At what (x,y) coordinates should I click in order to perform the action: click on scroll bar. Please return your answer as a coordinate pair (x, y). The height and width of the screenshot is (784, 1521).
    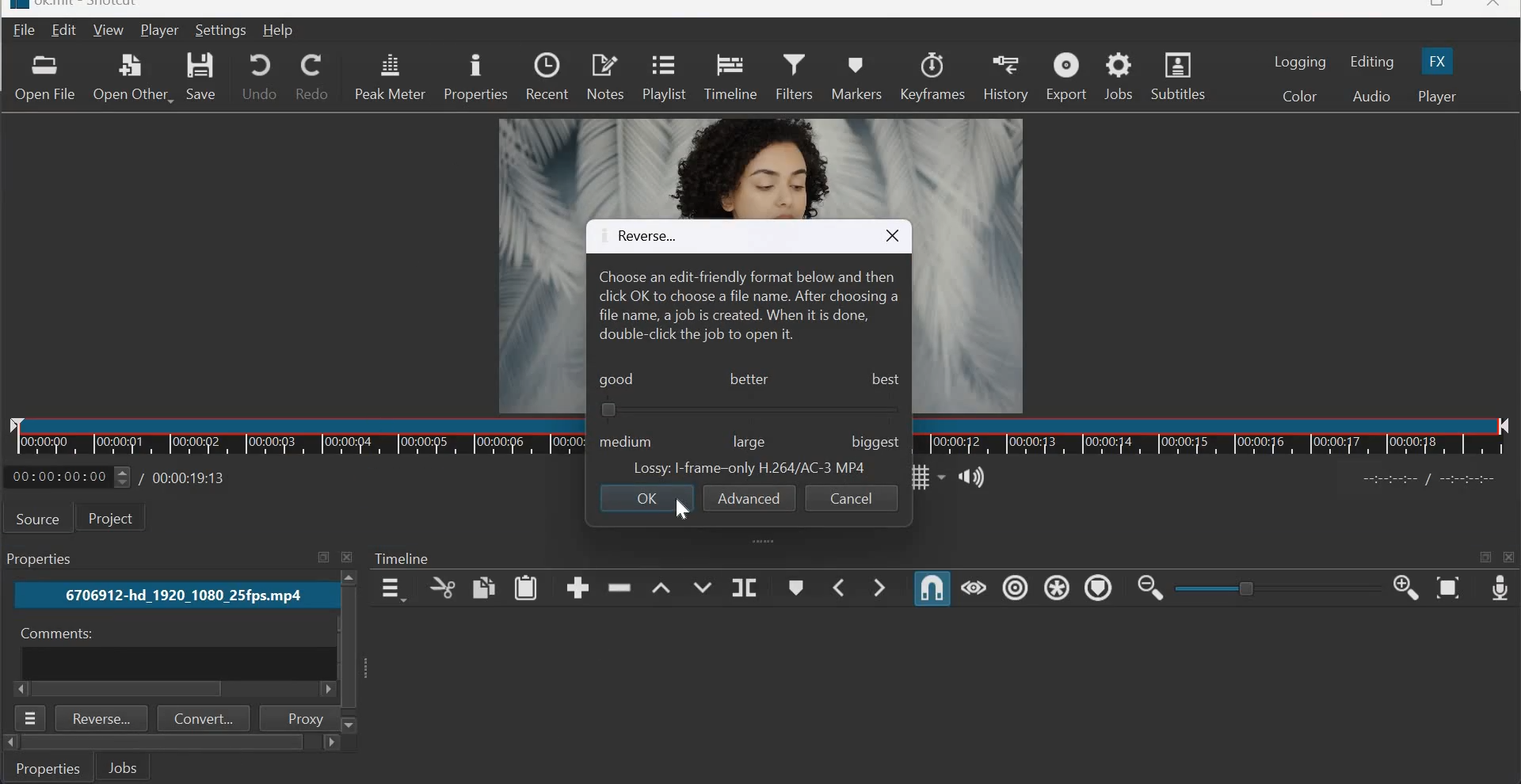
    Looking at the image, I should click on (131, 690).